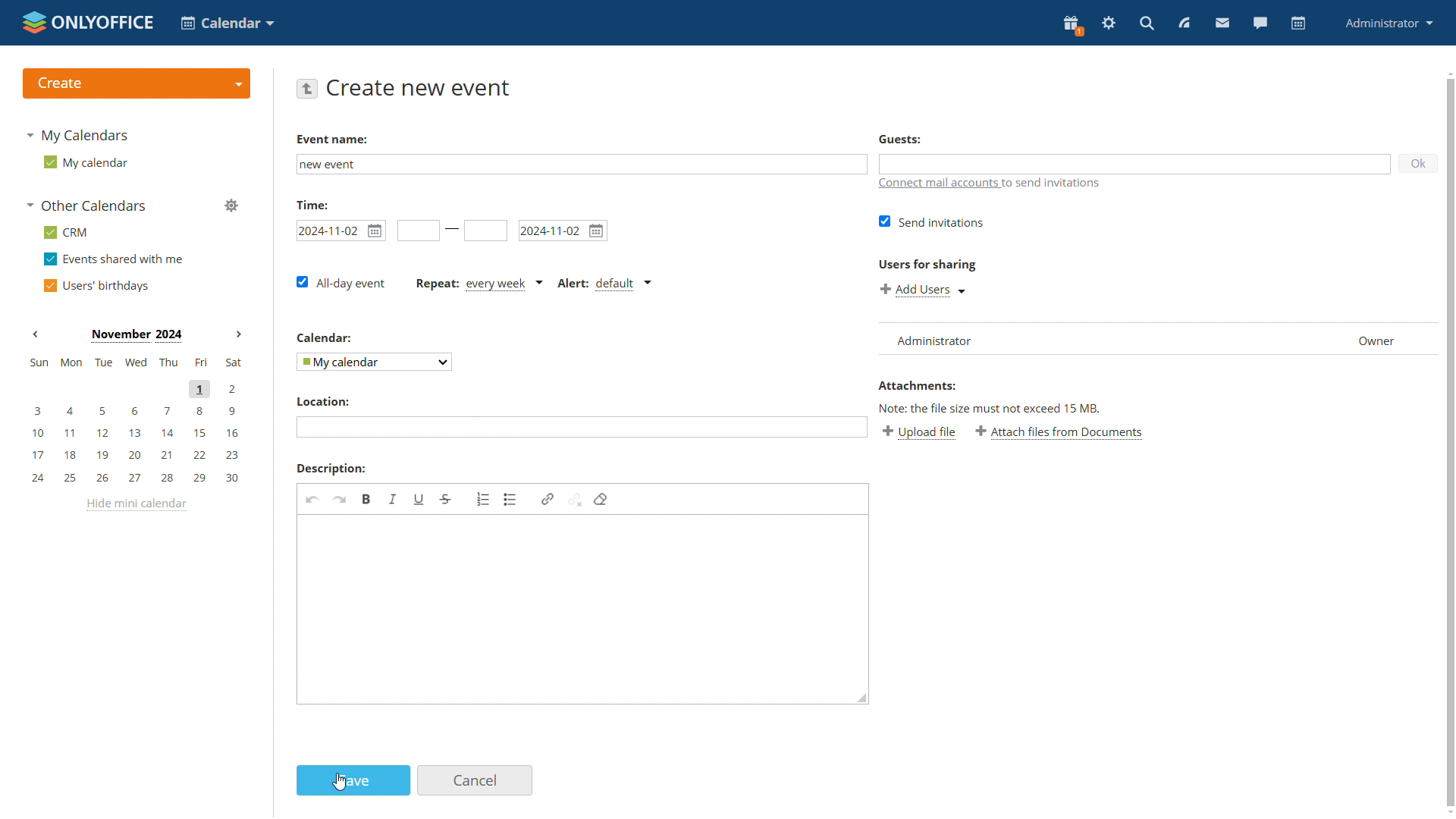  Describe the element at coordinates (325, 337) in the screenshot. I see `Calendar` at that location.